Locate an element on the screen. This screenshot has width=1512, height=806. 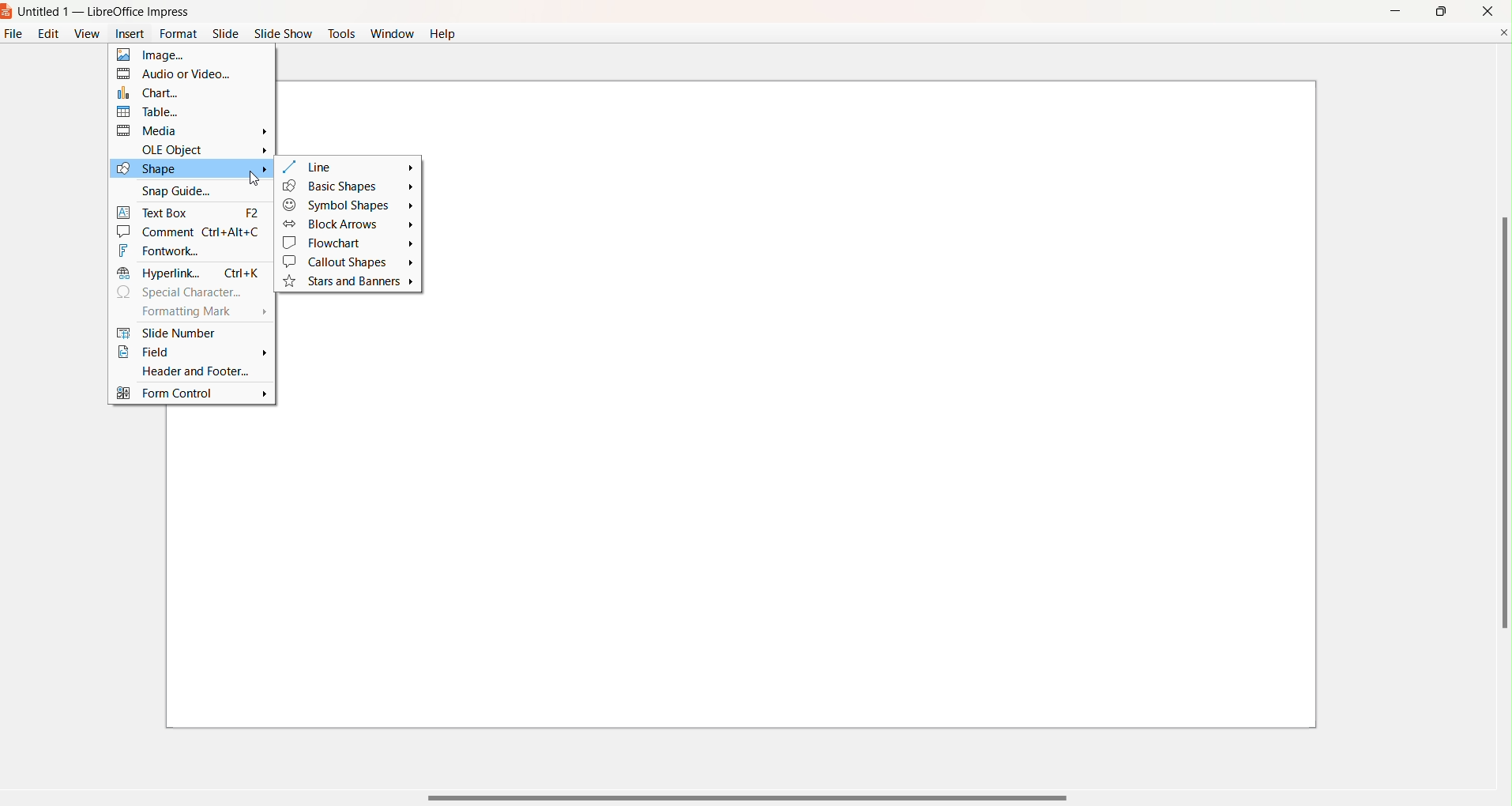
Flowchart is located at coordinates (348, 243).